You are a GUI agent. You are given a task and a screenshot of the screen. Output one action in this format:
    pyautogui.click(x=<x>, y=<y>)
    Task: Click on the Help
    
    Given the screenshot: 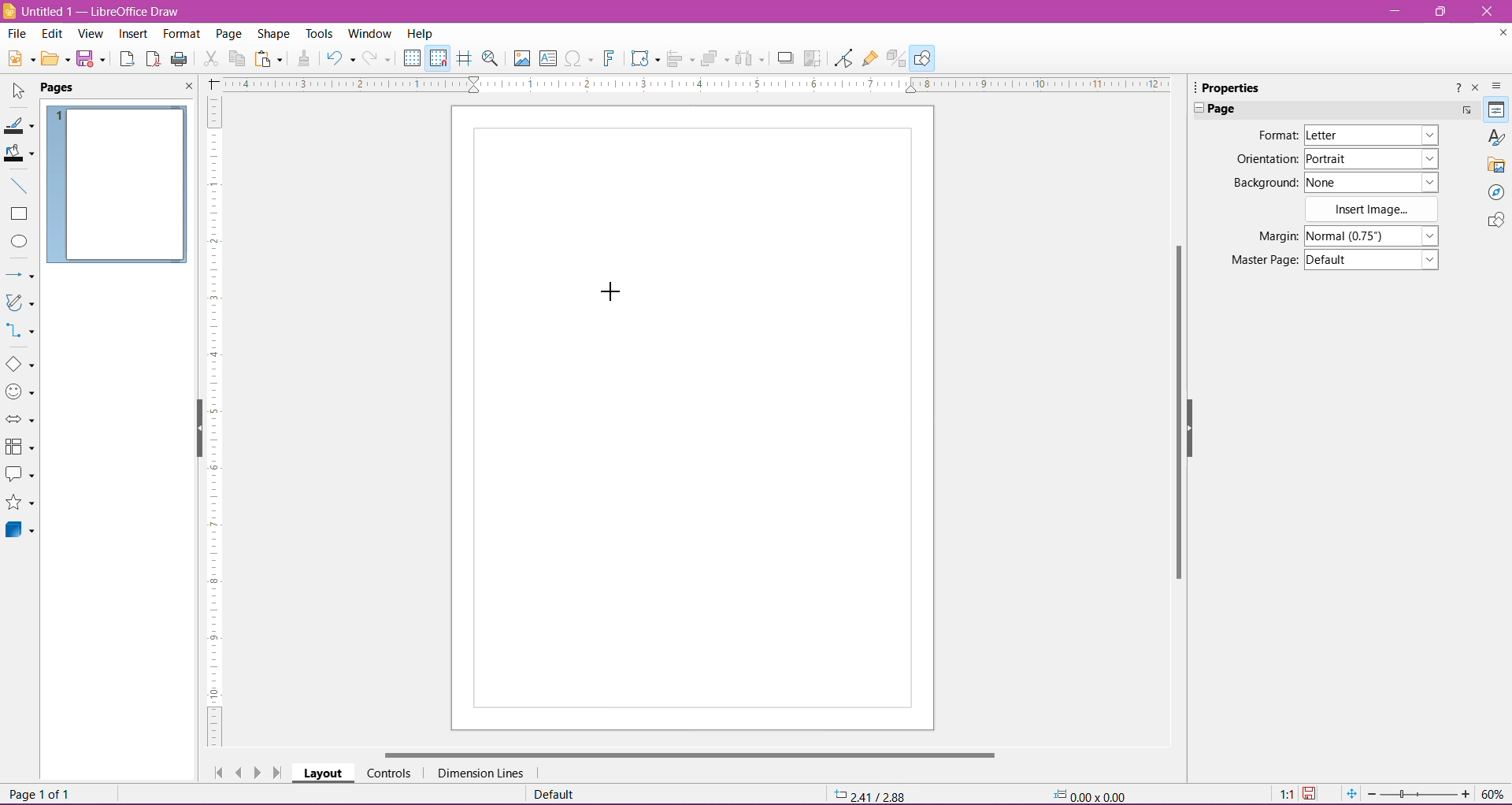 What is the action you would take?
    pyautogui.click(x=421, y=33)
    